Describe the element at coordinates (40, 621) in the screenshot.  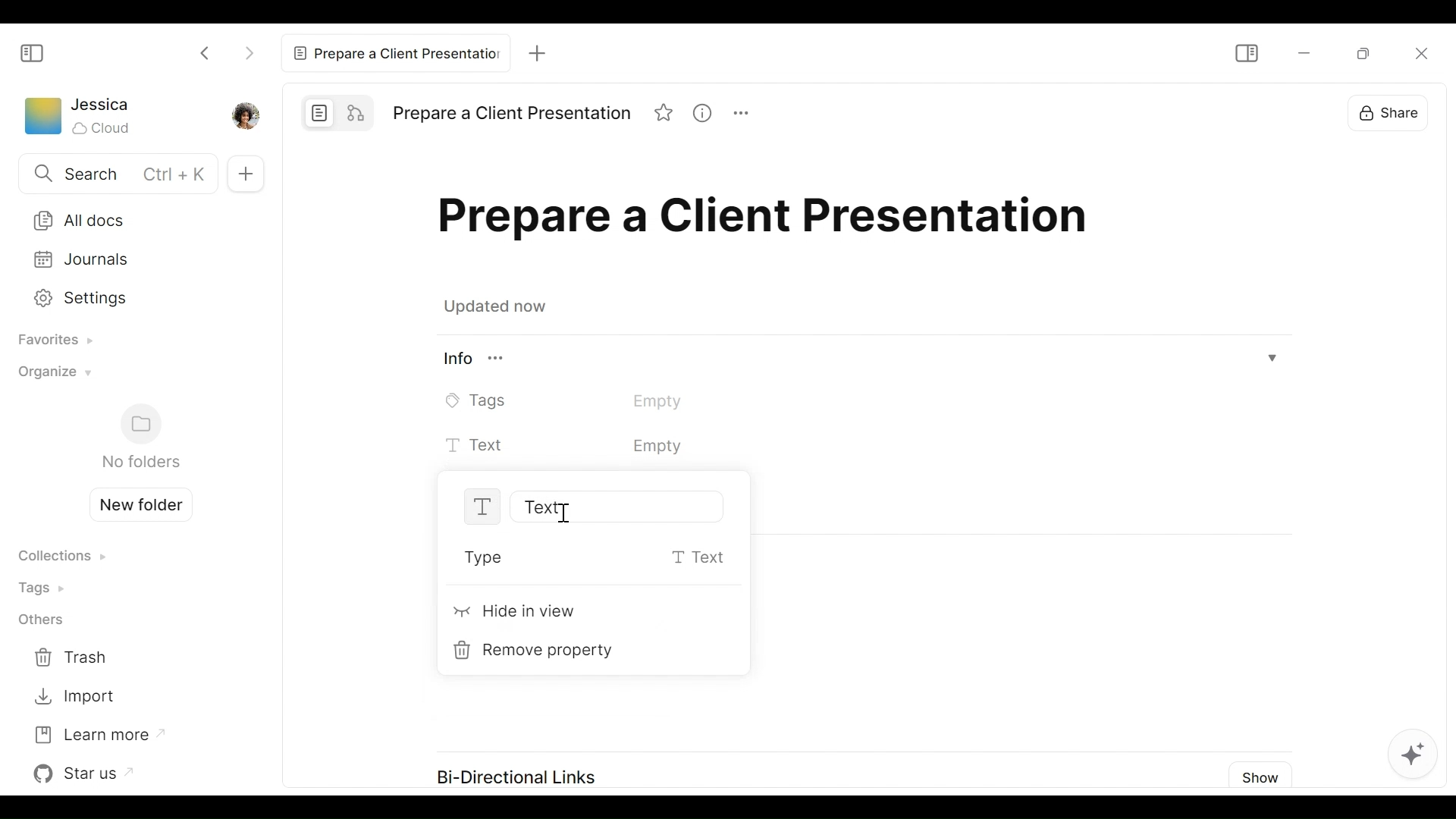
I see `Others` at that location.